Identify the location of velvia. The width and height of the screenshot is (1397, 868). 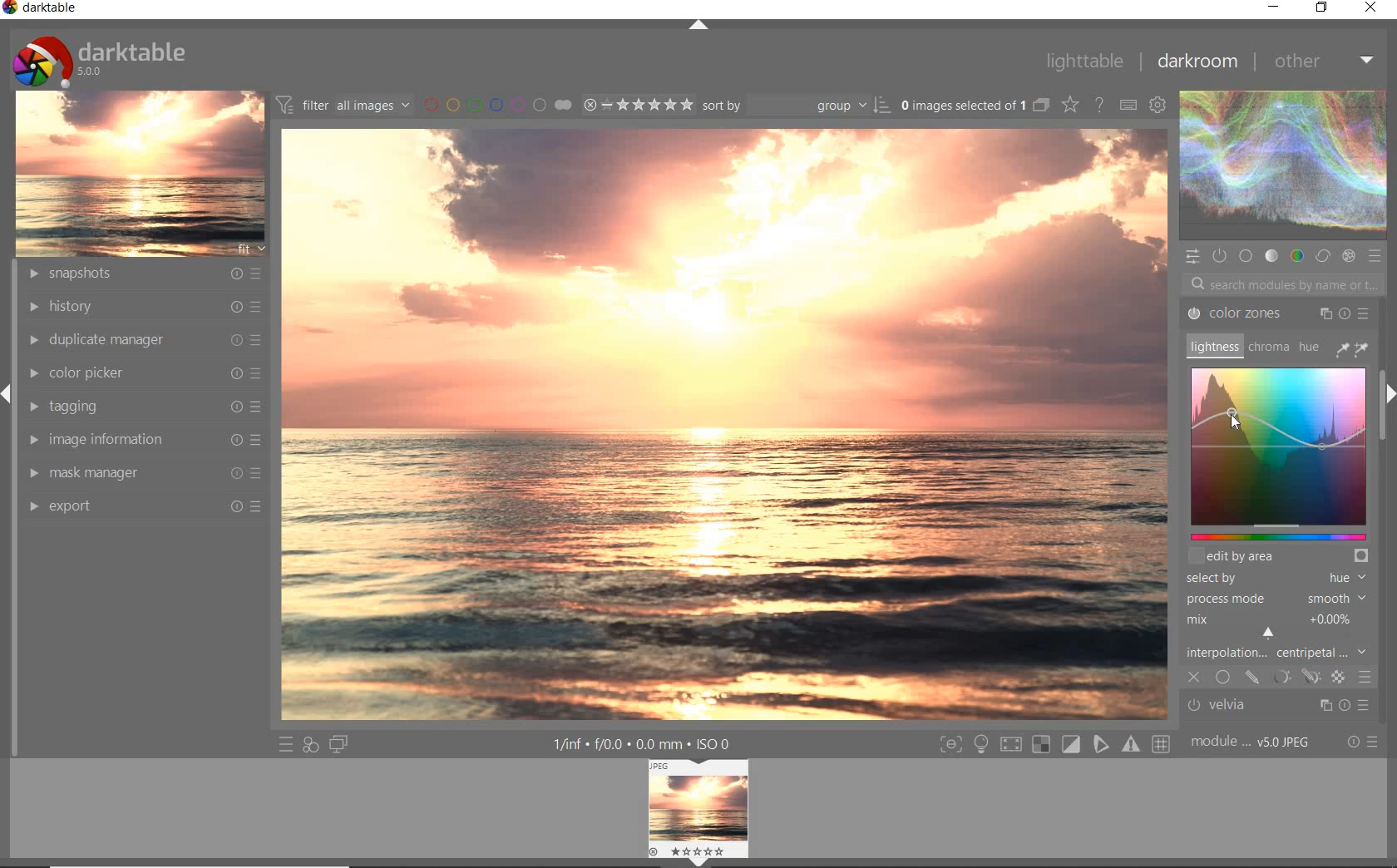
(1273, 707).